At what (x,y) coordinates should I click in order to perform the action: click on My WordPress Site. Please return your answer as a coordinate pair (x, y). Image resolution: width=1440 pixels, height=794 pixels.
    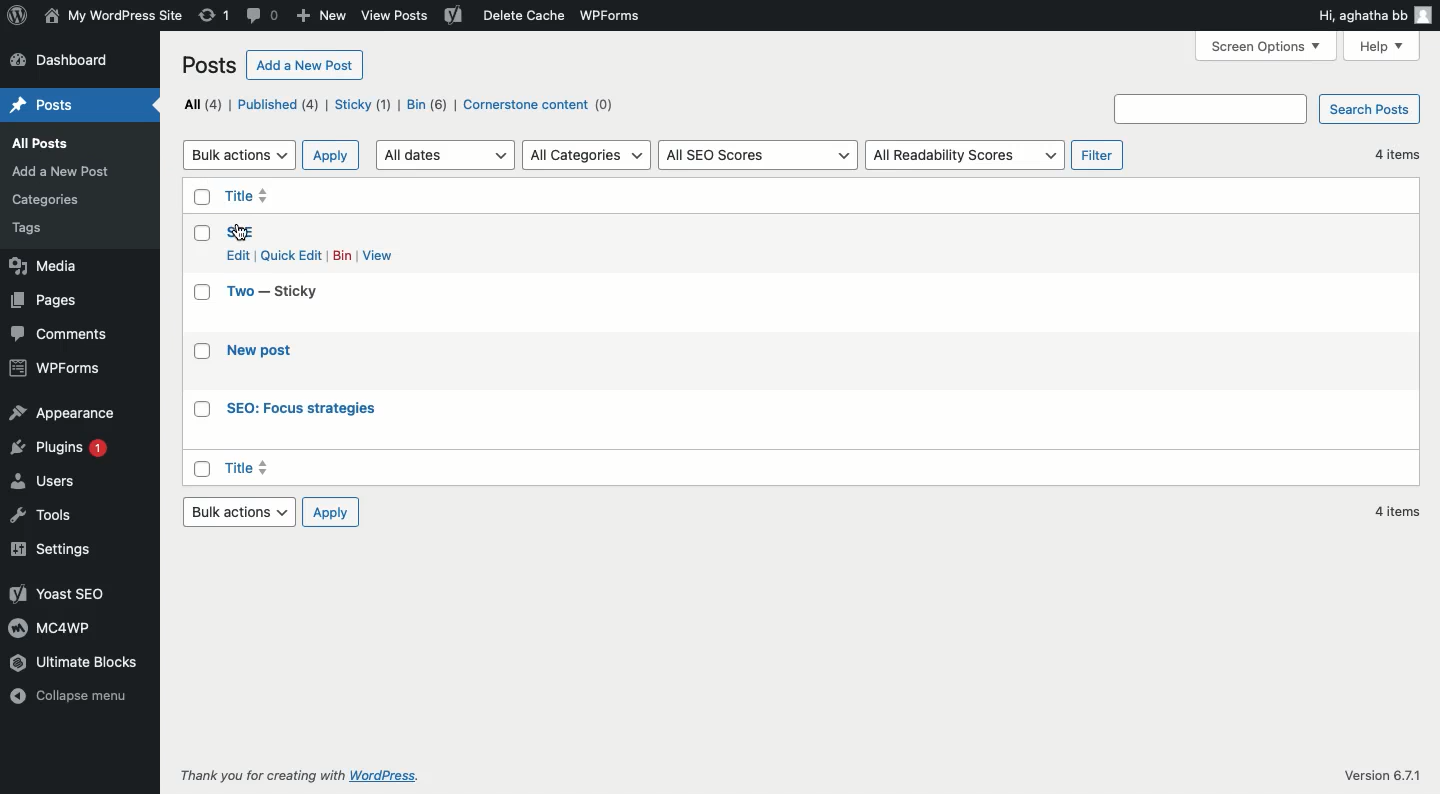
    Looking at the image, I should click on (113, 16).